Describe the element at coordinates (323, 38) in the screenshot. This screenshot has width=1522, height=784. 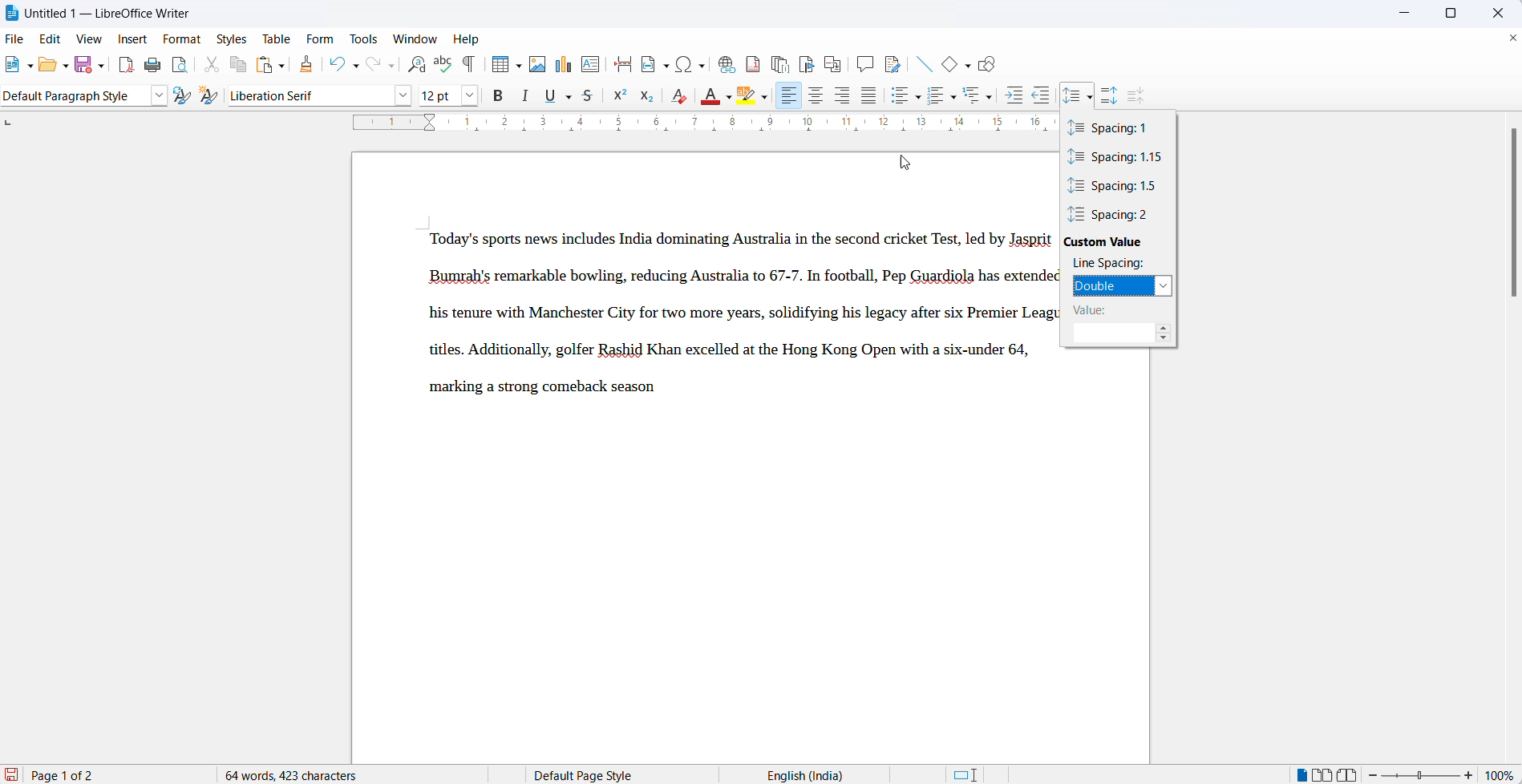
I see `form` at that location.